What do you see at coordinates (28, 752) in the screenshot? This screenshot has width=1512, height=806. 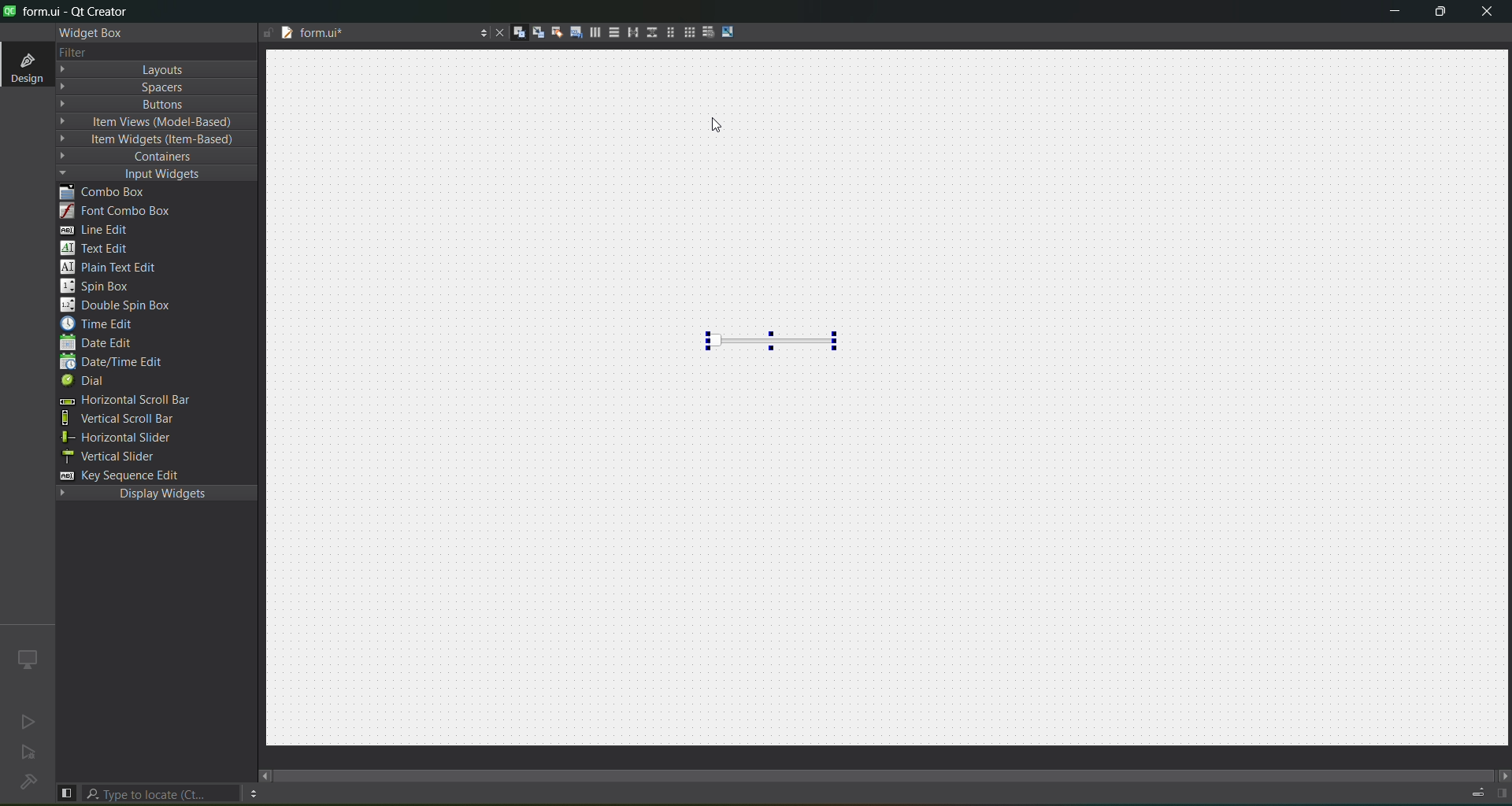 I see `no active project` at bounding box center [28, 752].